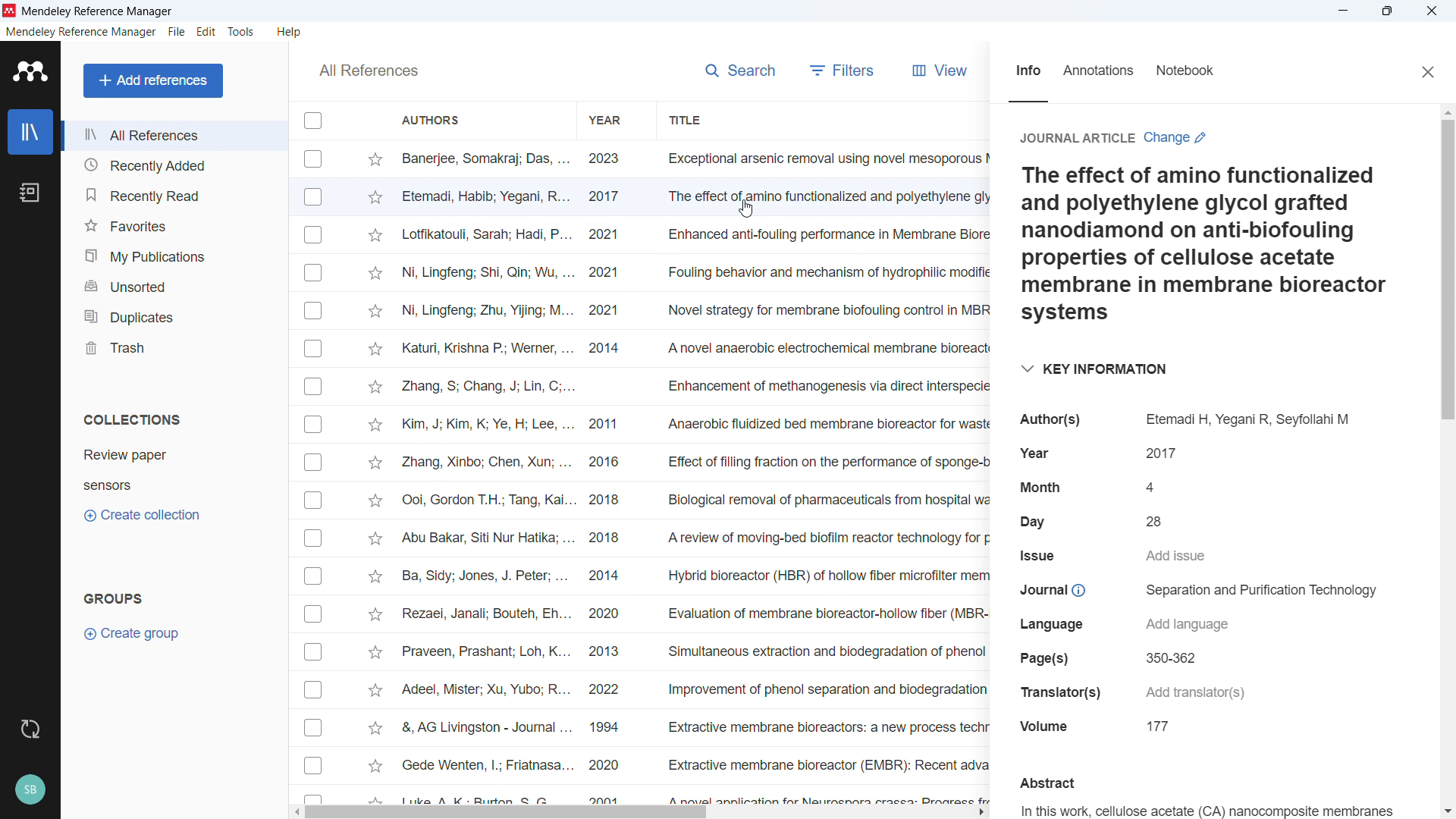 The height and width of the screenshot is (819, 1456). I want to click on Unsorted , so click(172, 284).